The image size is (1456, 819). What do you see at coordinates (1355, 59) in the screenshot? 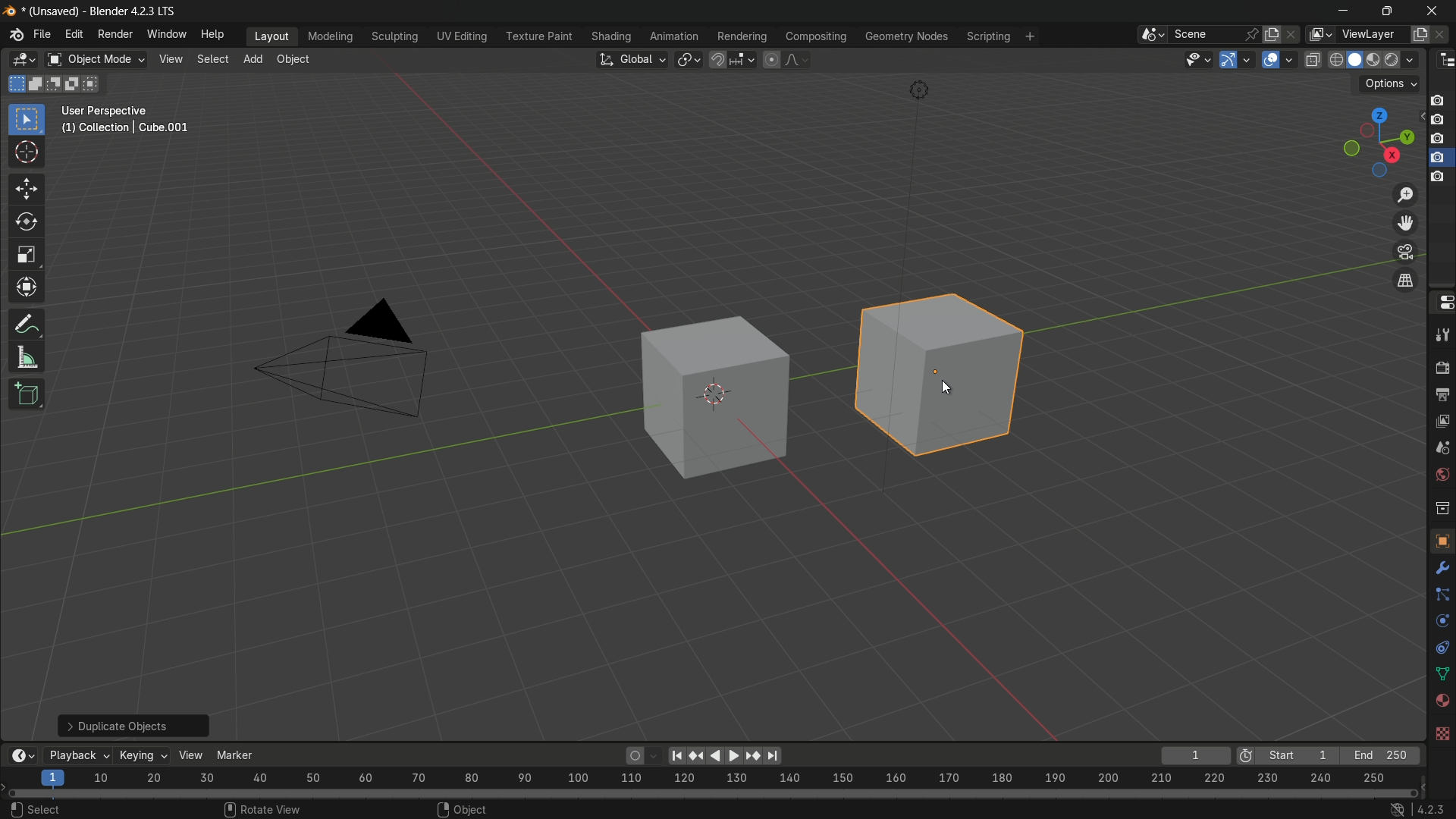
I see `solid display` at bounding box center [1355, 59].